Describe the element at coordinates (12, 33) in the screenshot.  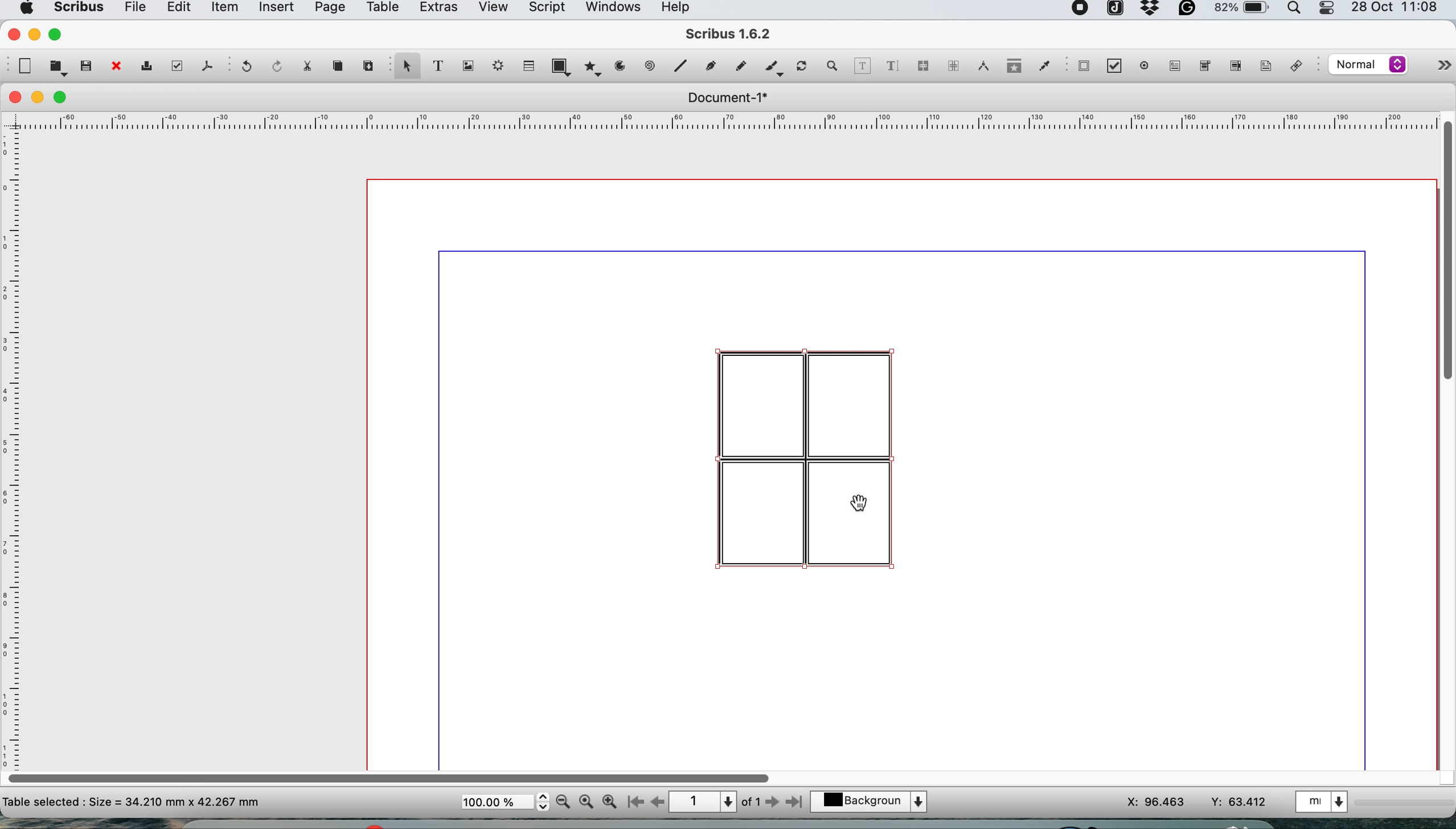
I see `close` at that location.